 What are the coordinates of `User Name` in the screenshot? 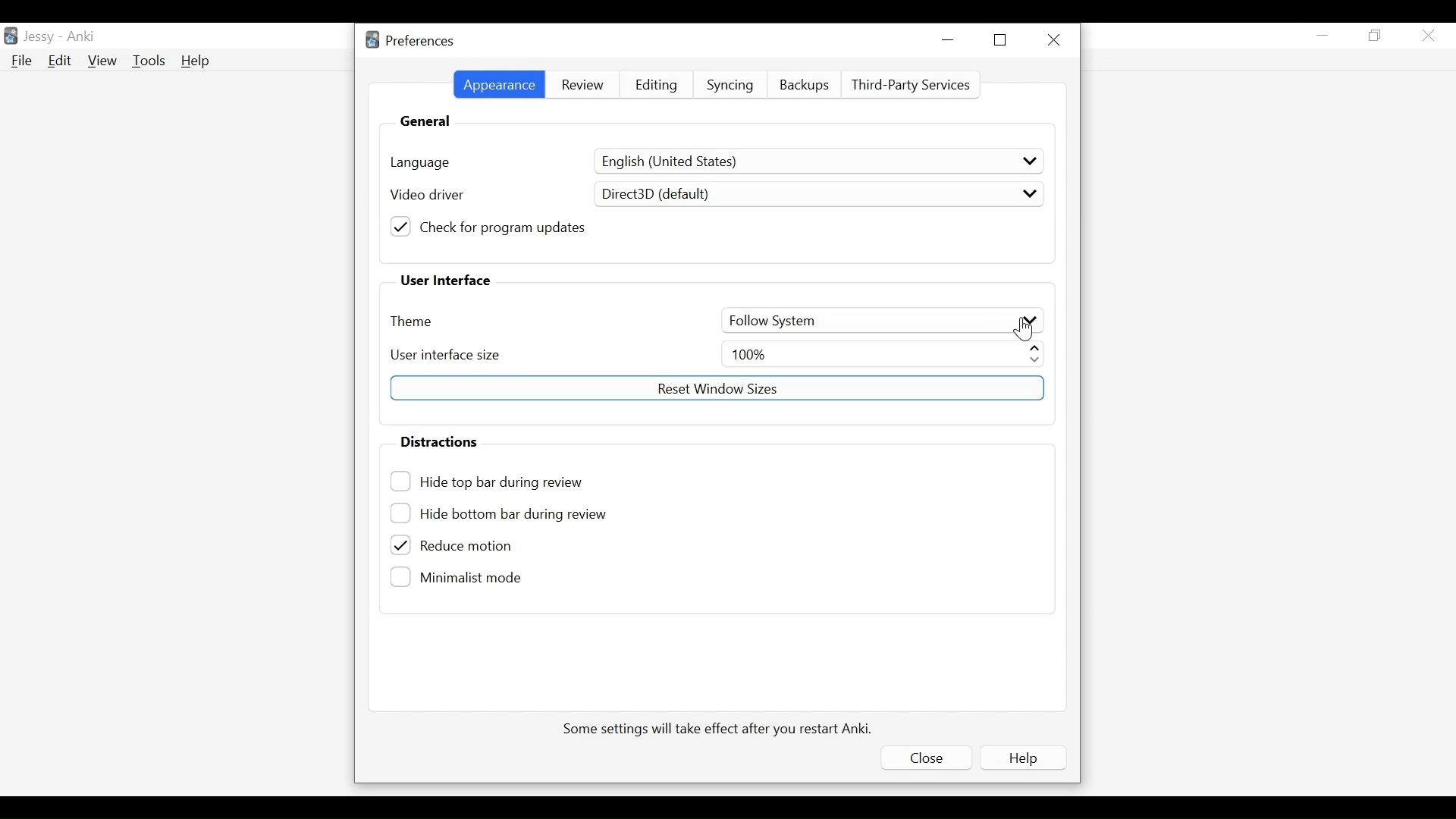 It's located at (42, 37).